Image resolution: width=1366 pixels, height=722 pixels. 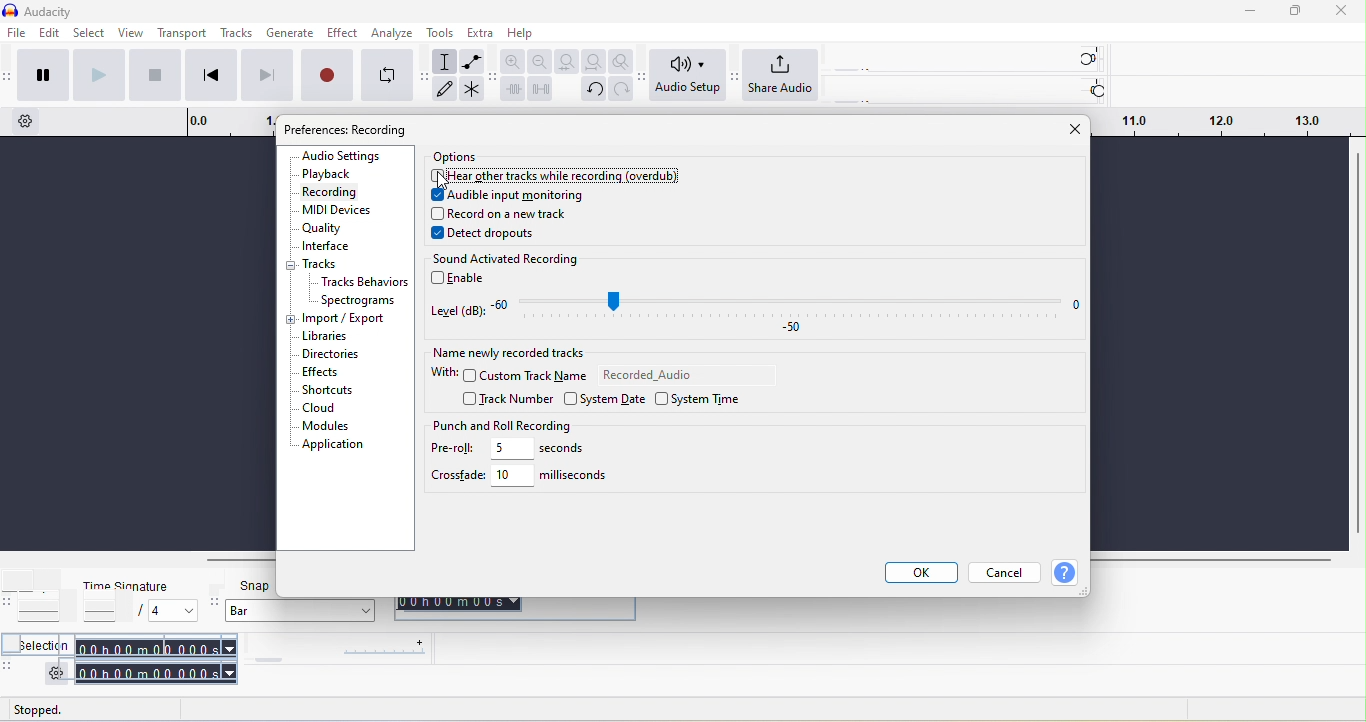 What do you see at coordinates (62, 711) in the screenshot?
I see `stopped` at bounding box center [62, 711].